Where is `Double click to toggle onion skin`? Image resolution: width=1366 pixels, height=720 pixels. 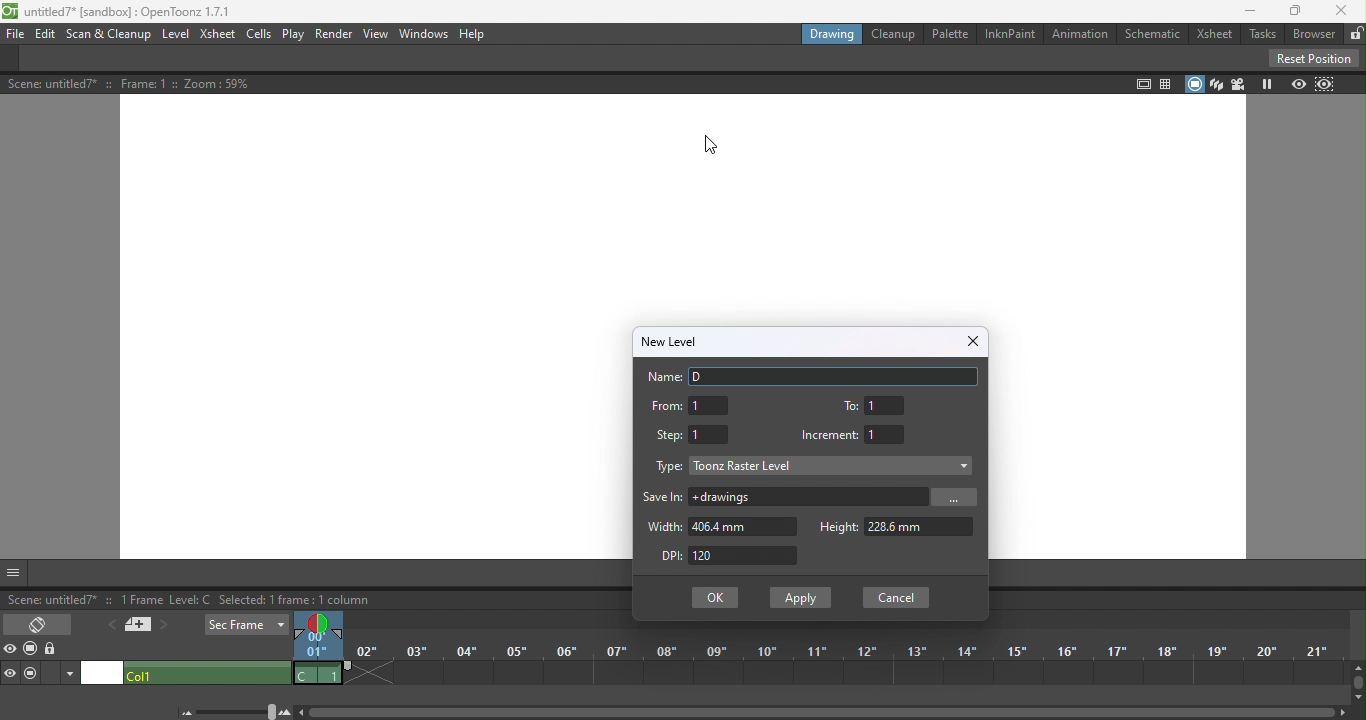
Double click to toggle onion skin is located at coordinates (315, 622).